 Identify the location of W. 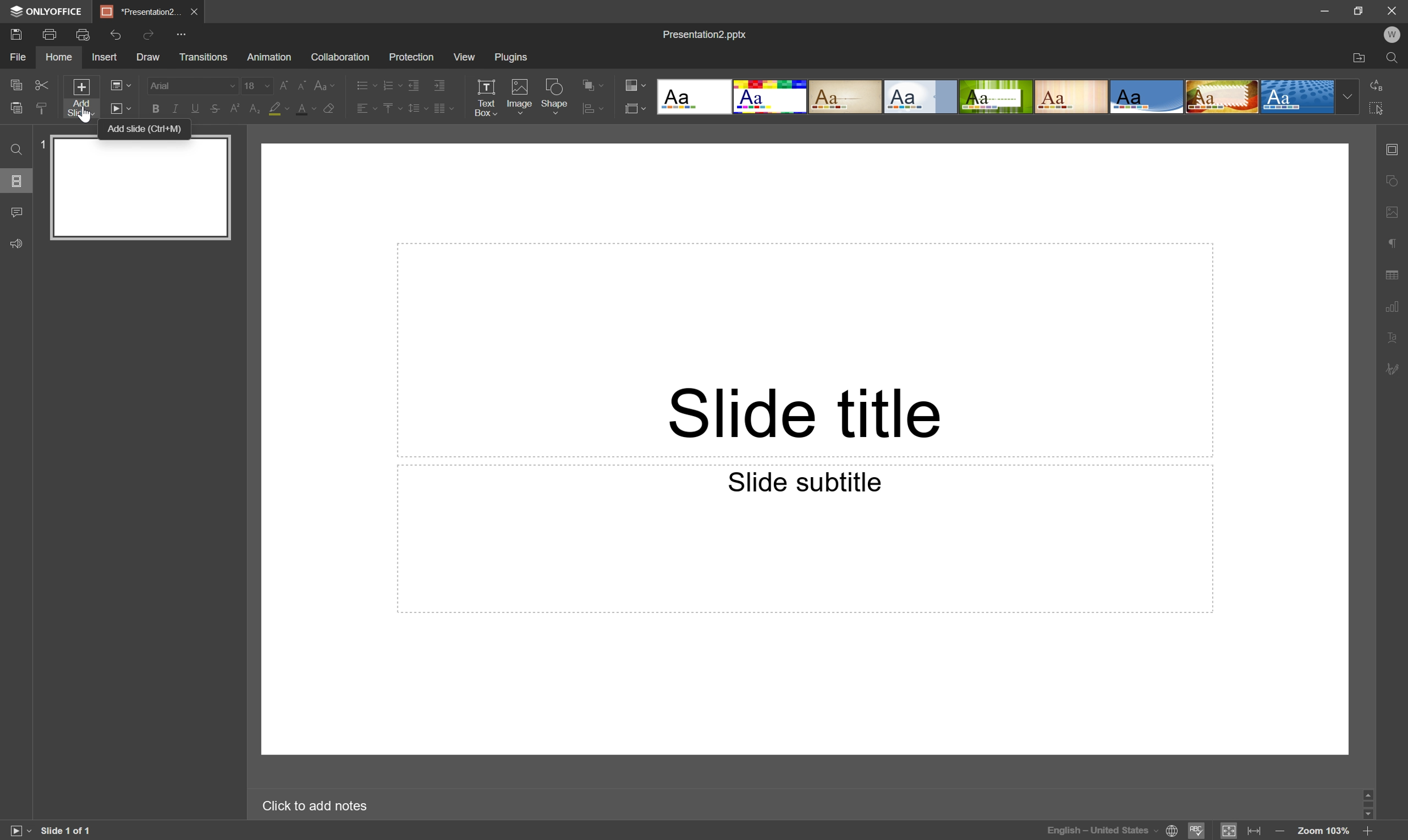
(1391, 32).